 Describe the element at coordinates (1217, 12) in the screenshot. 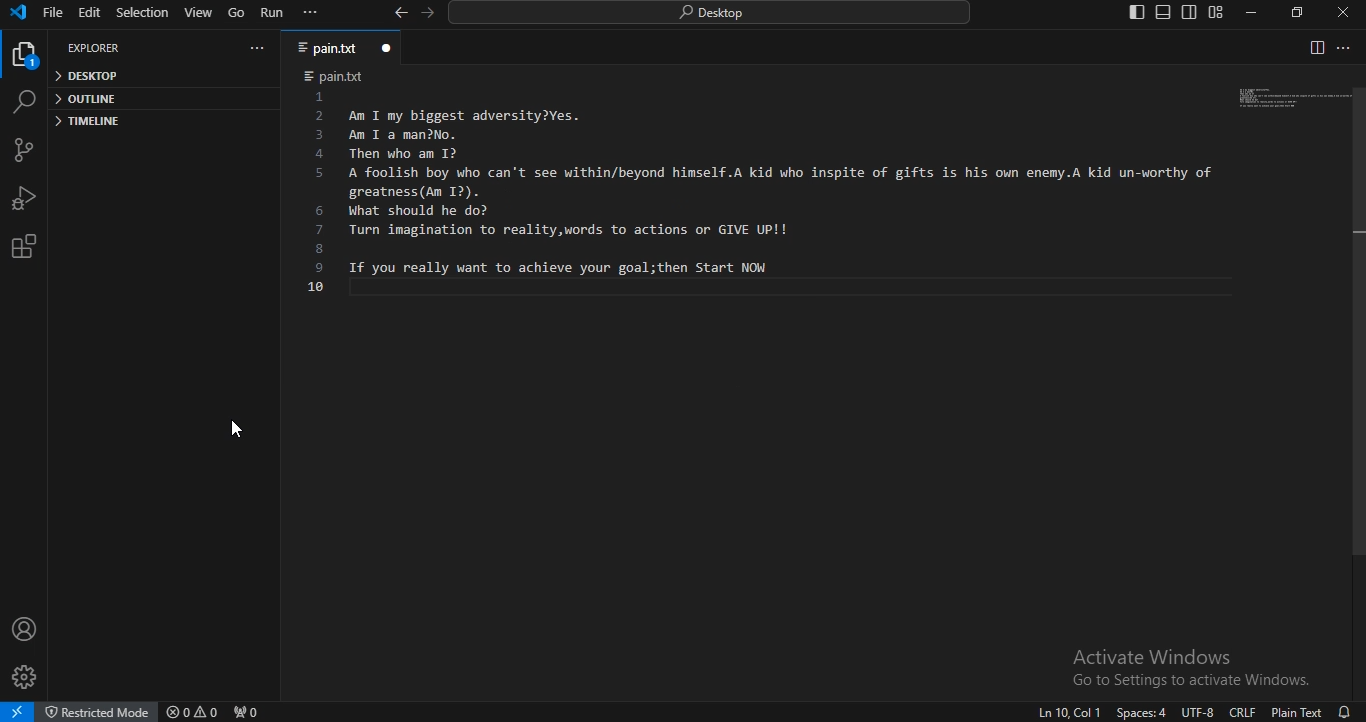

I see `customize layout` at that location.